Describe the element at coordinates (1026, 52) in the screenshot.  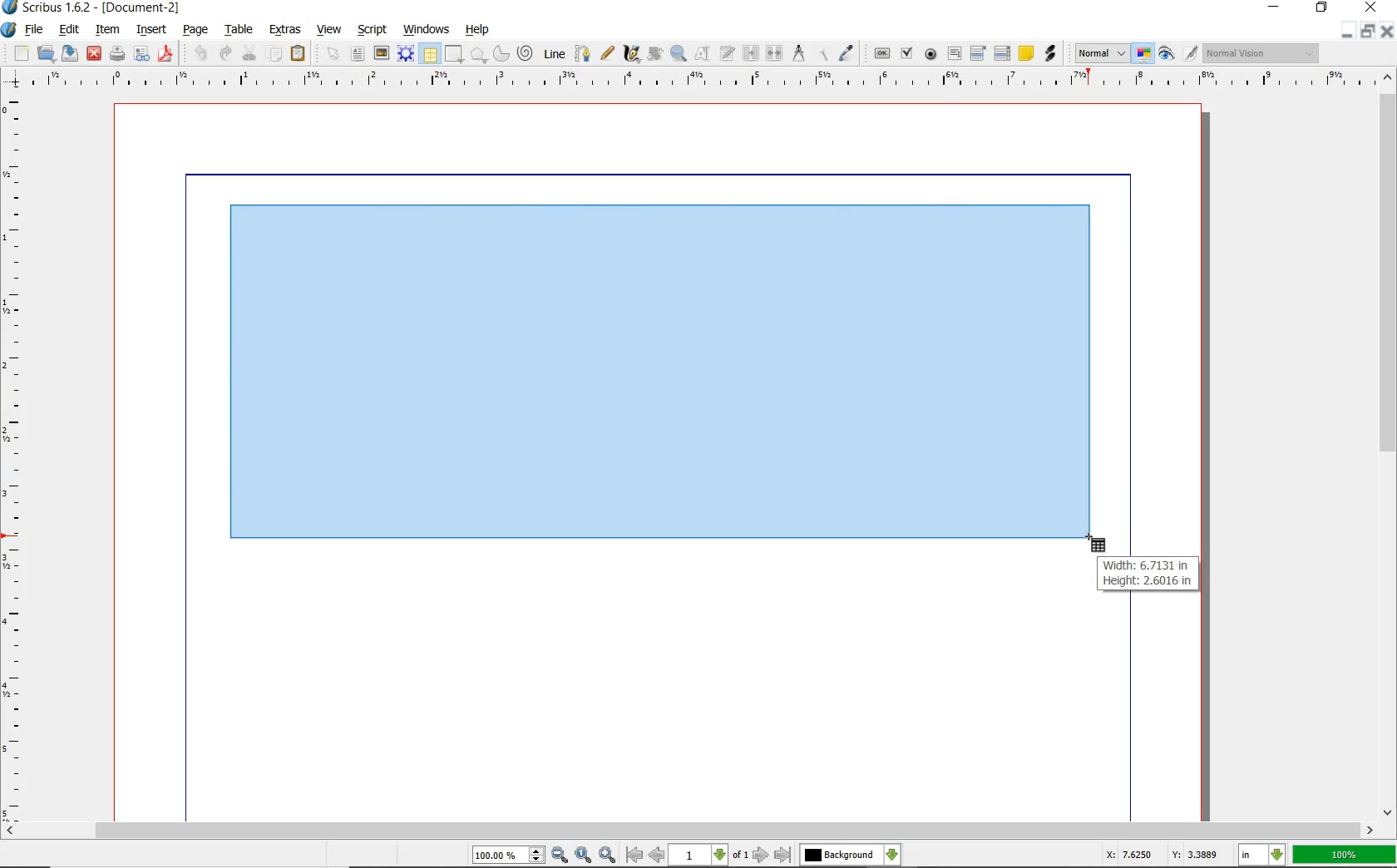
I see `text annotation` at that location.